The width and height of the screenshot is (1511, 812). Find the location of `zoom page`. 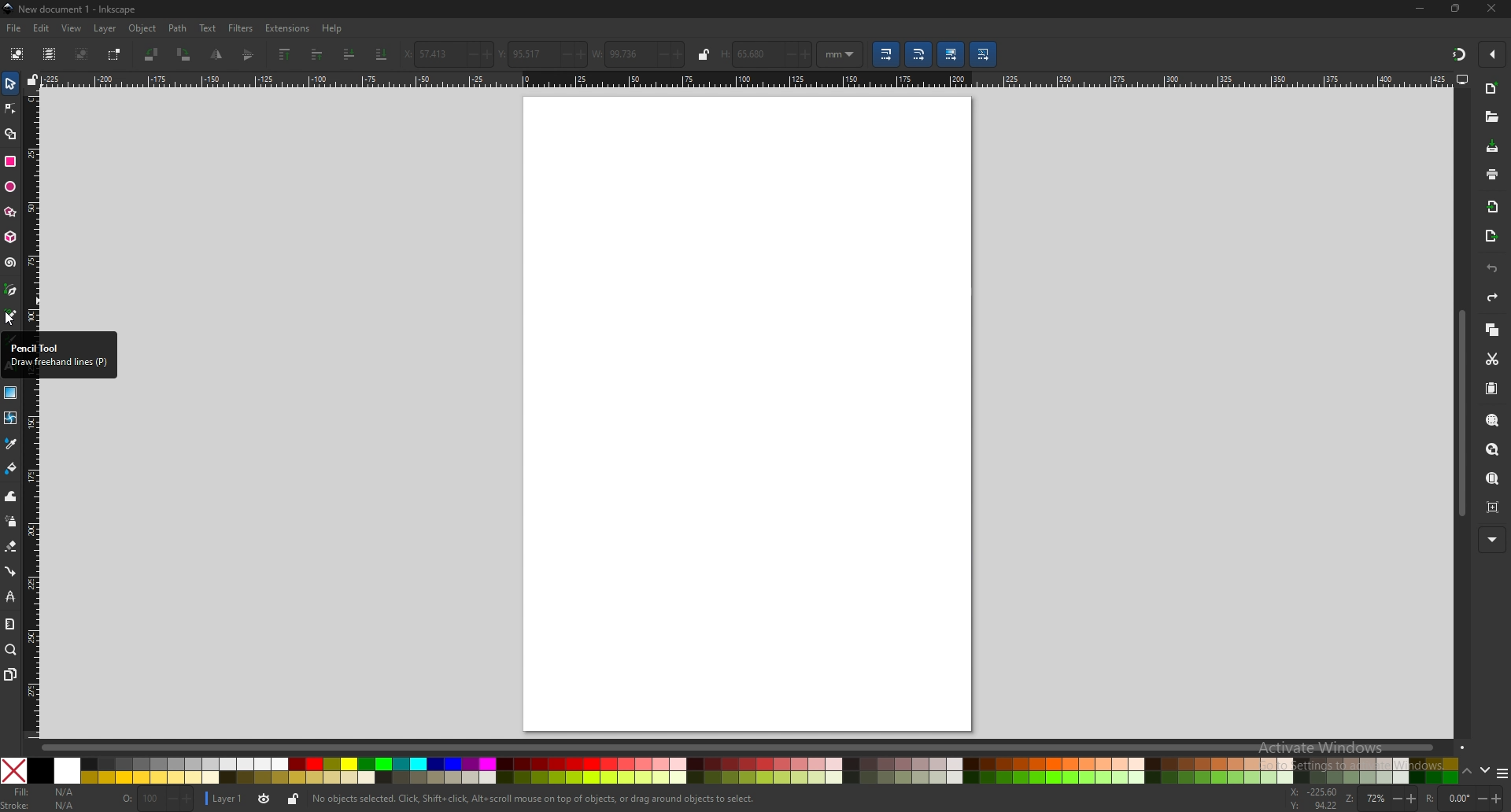

zoom page is located at coordinates (1492, 478).